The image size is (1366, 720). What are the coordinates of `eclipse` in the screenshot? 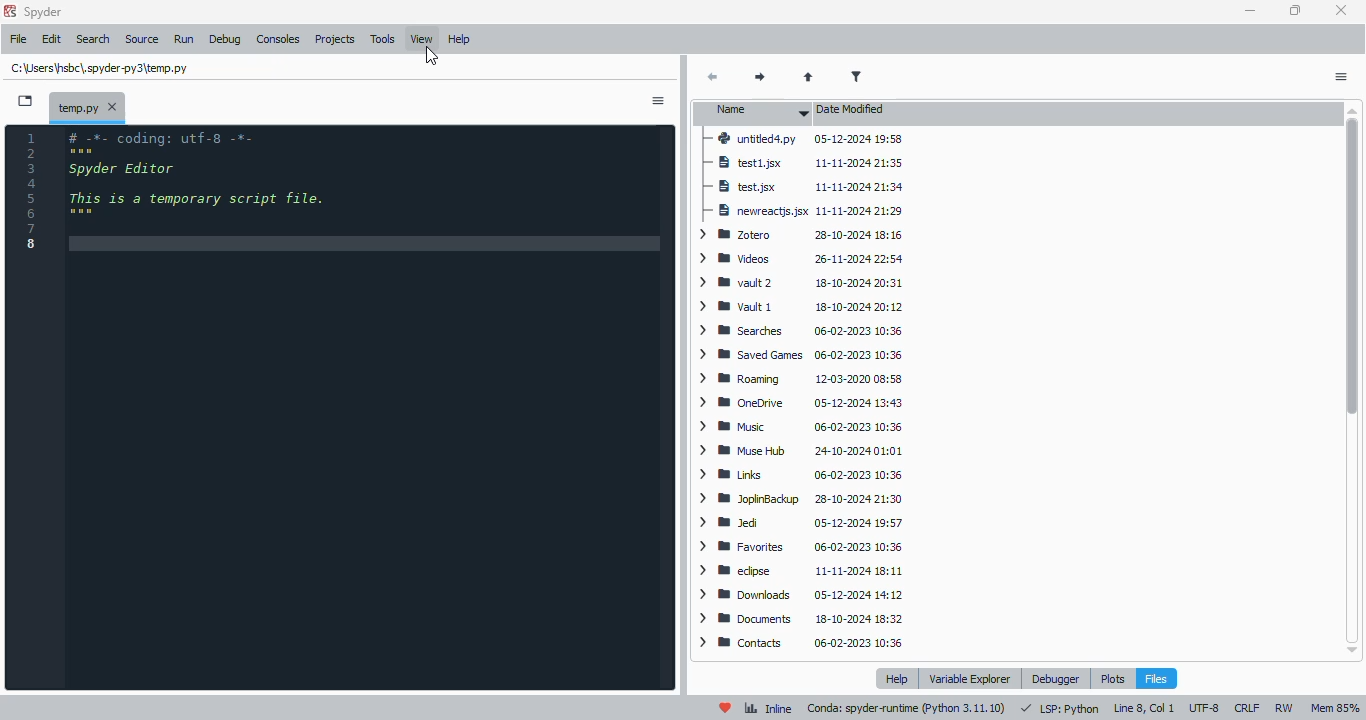 It's located at (799, 571).